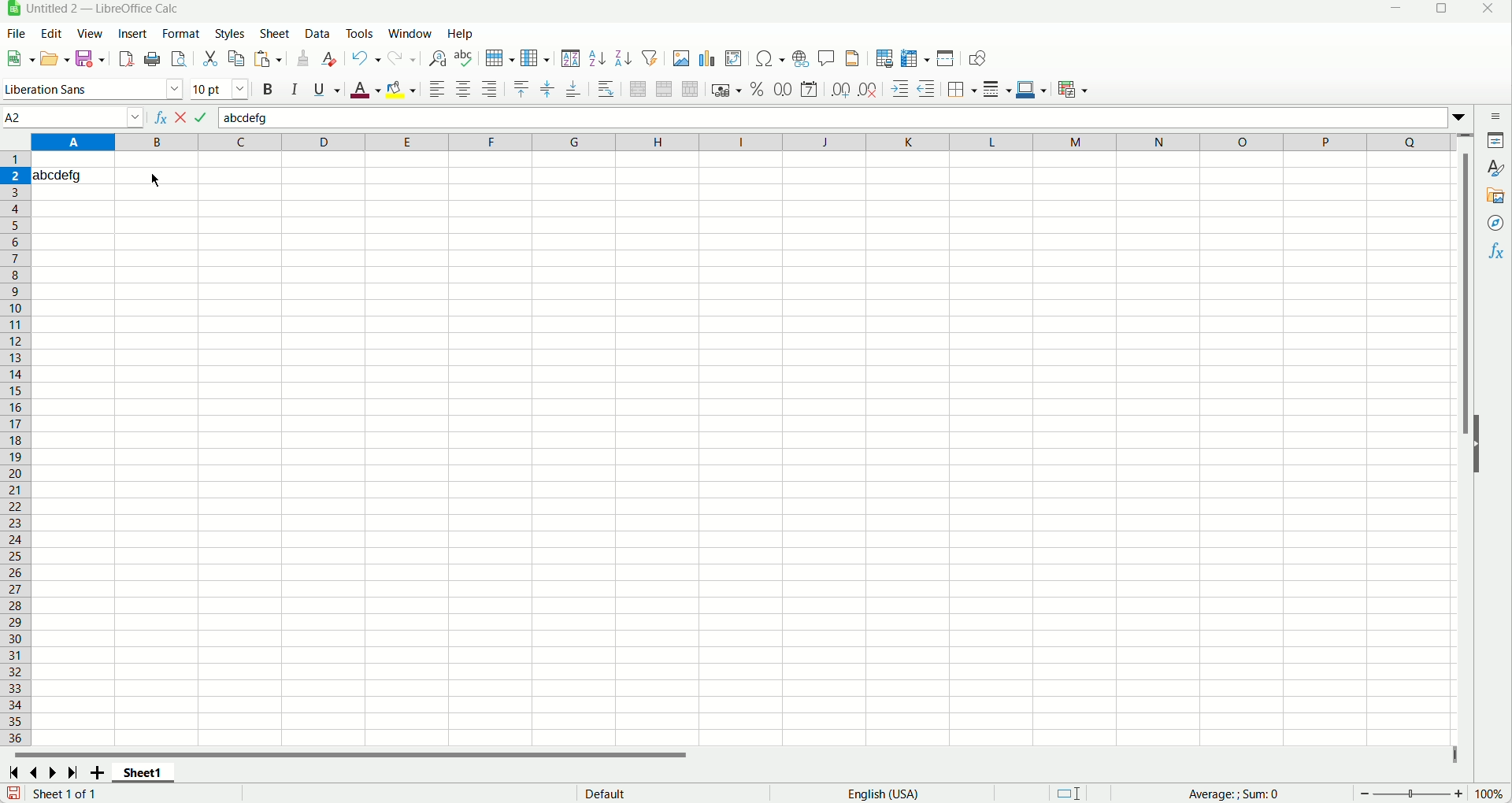  What do you see at coordinates (979, 59) in the screenshot?
I see `draw function` at bounding box center [979, 59].